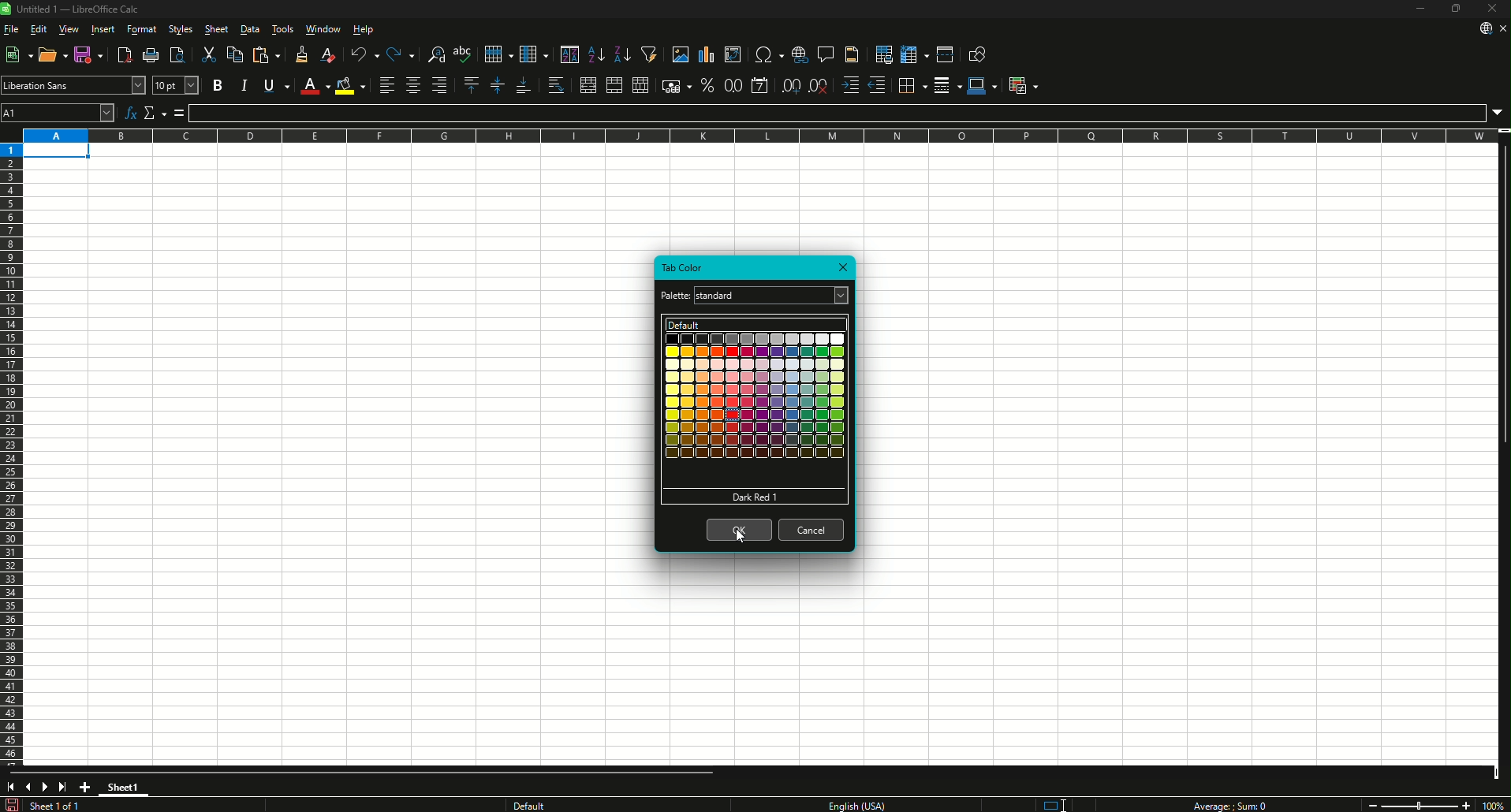 This screenshot has width=1511, height=812. I want to click on Horizontal slide bar, so click(365, 773).